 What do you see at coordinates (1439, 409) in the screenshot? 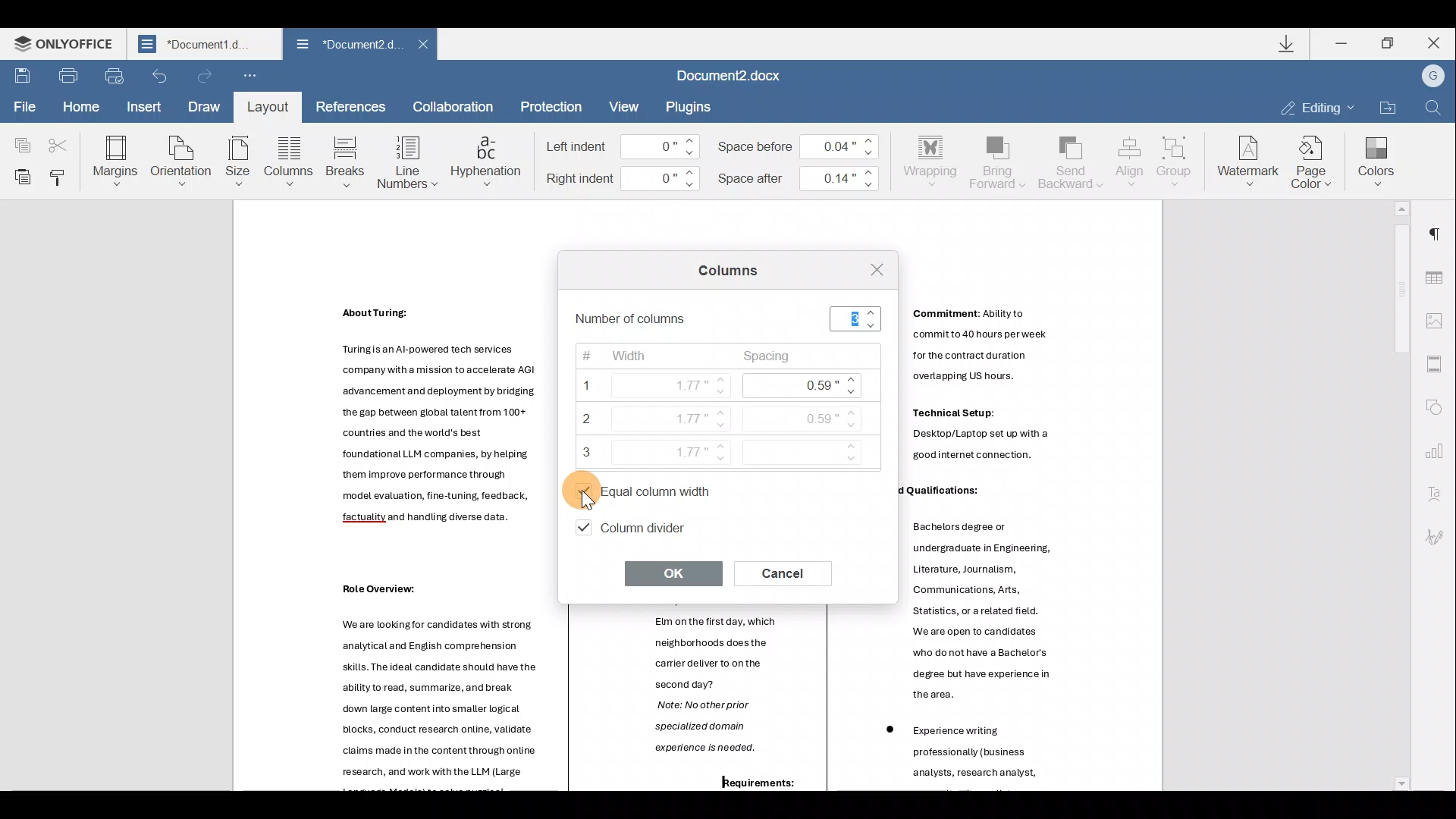
I see `Shape settings` at bounding box center [1439, 409].